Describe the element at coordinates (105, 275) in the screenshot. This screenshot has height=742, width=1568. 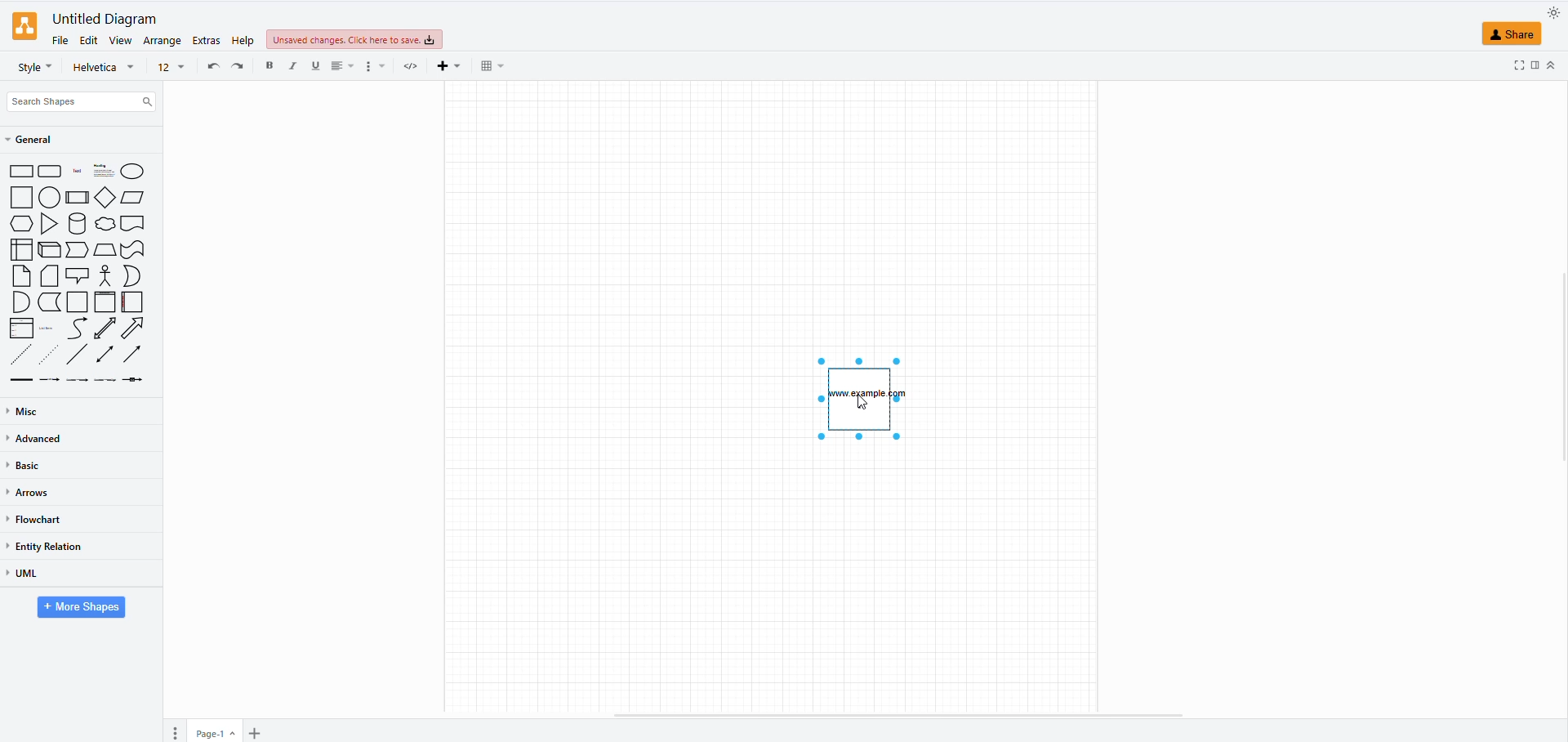
I see `actor` at that location.